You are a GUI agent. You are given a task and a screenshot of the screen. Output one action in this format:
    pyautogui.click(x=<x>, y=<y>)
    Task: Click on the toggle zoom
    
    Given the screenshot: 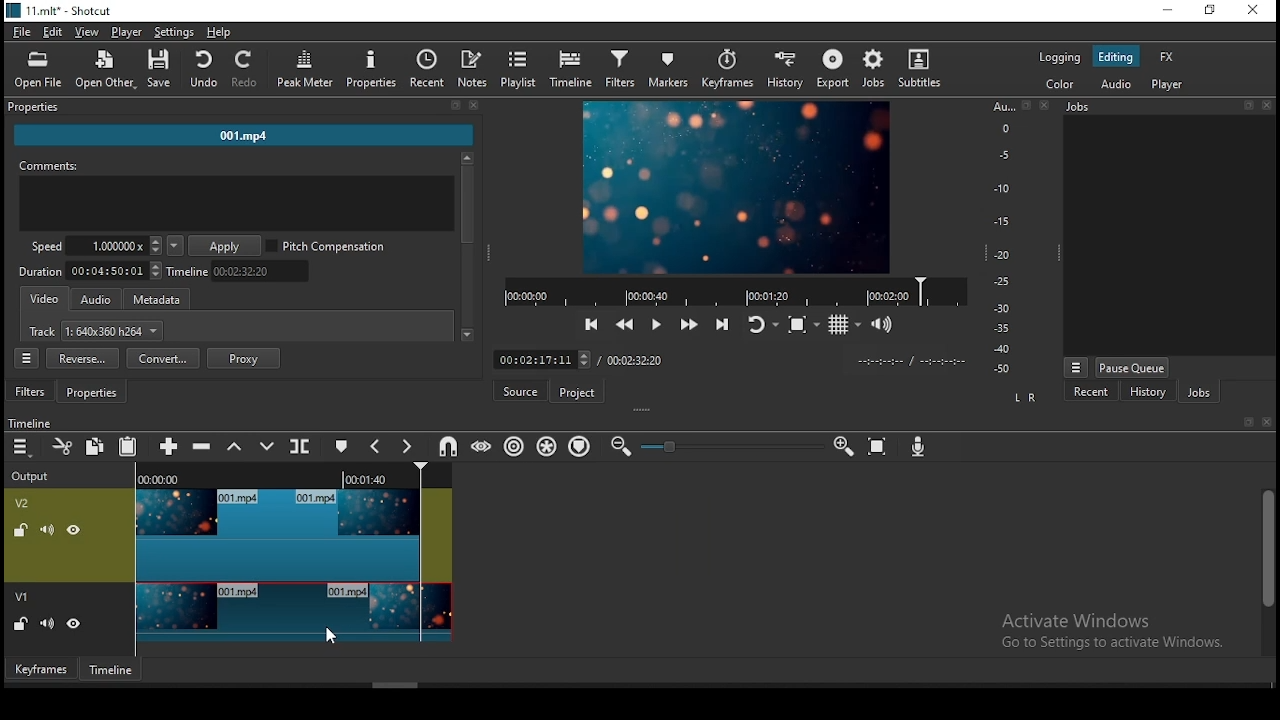 What is the action you would take?
    pyautogui.click(x=802, y=323)
    